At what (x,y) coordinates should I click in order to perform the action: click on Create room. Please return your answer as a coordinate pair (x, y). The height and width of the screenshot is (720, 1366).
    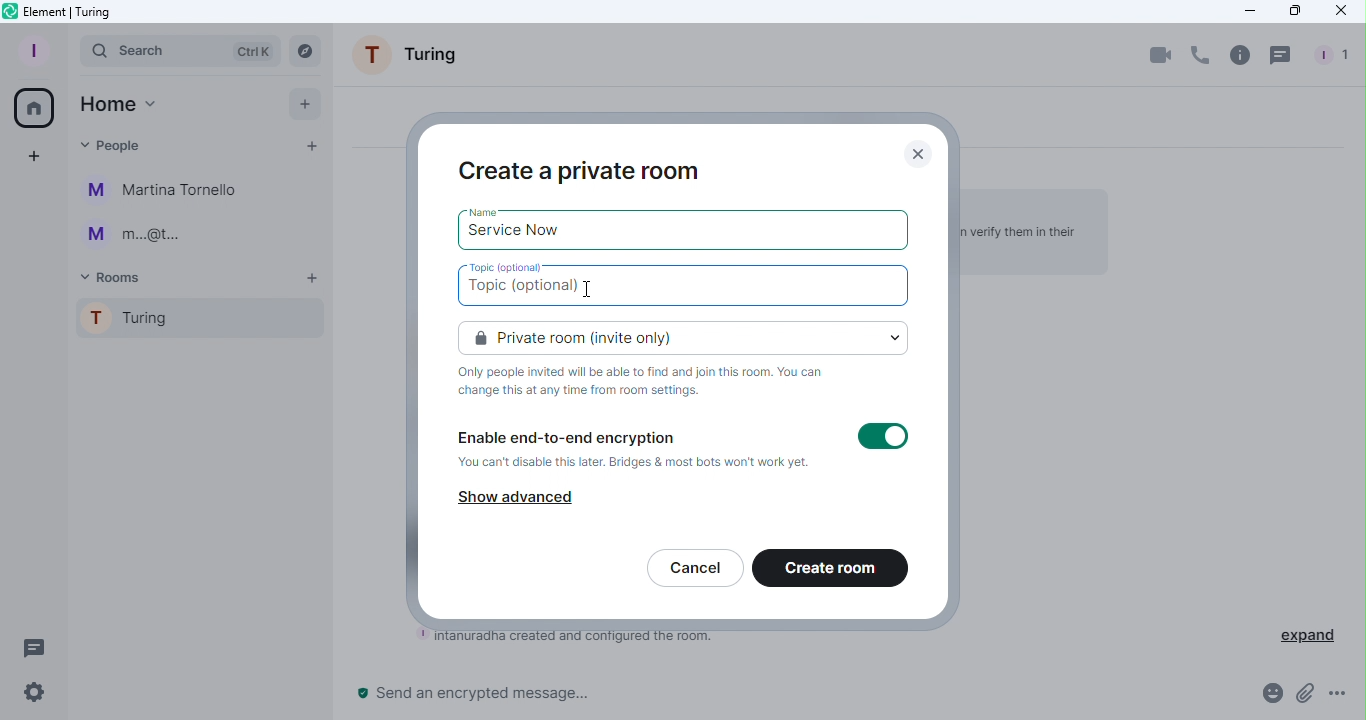
    Looking at the image, I should click on (832, 570).